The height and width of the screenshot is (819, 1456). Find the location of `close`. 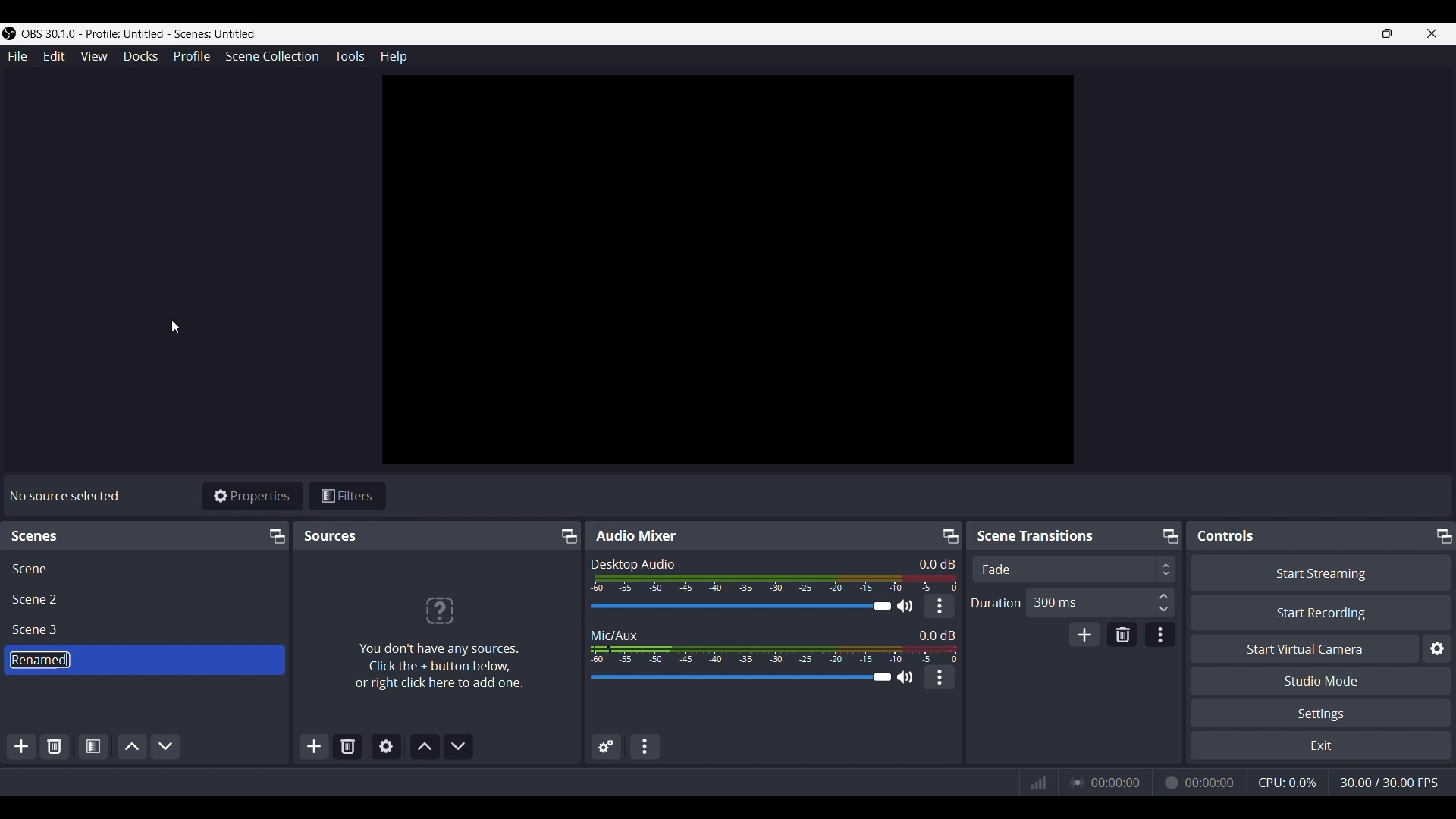

close is located at coordinates (1432, 33).